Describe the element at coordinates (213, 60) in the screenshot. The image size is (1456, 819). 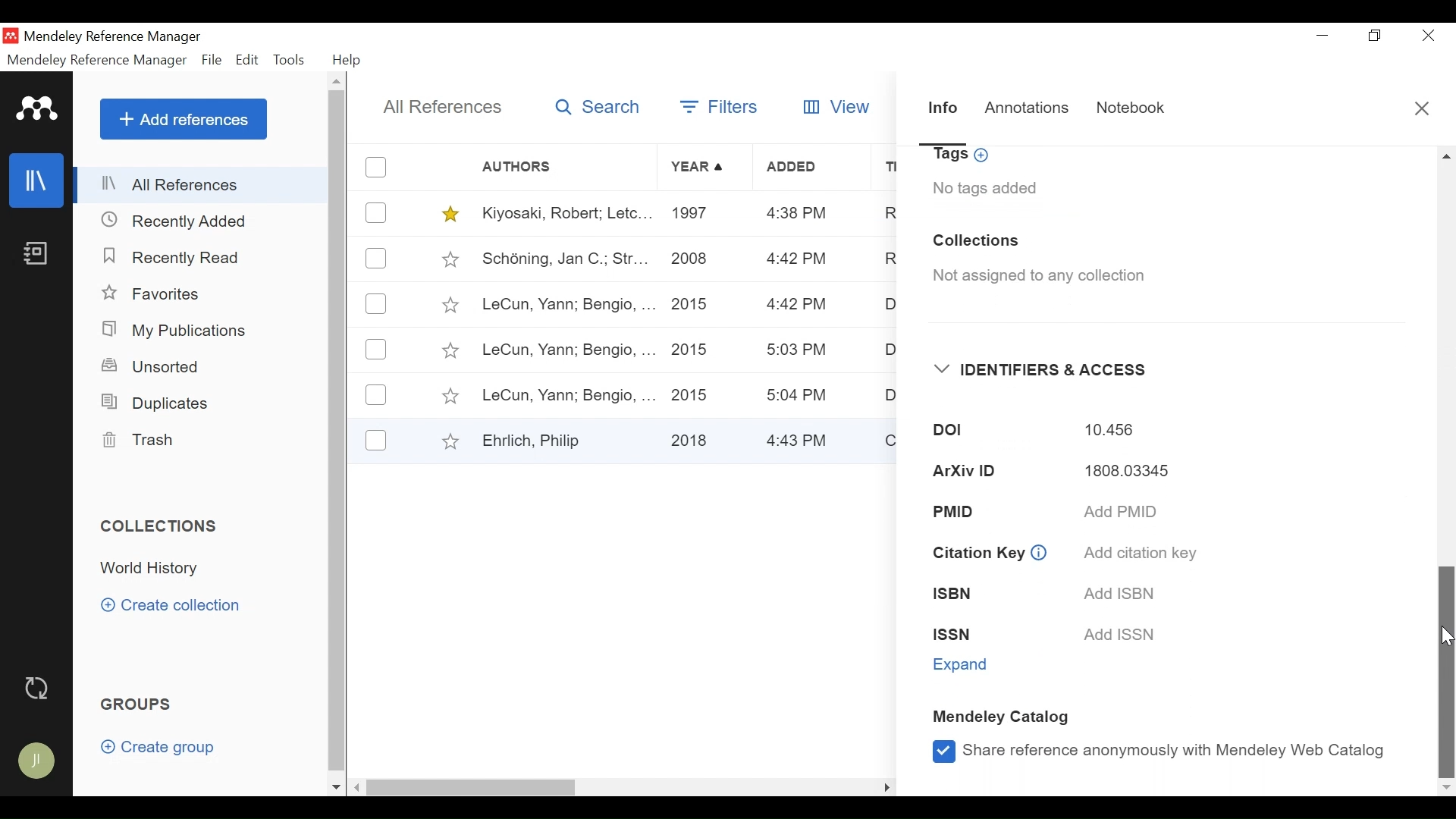
I see `File` at that location.